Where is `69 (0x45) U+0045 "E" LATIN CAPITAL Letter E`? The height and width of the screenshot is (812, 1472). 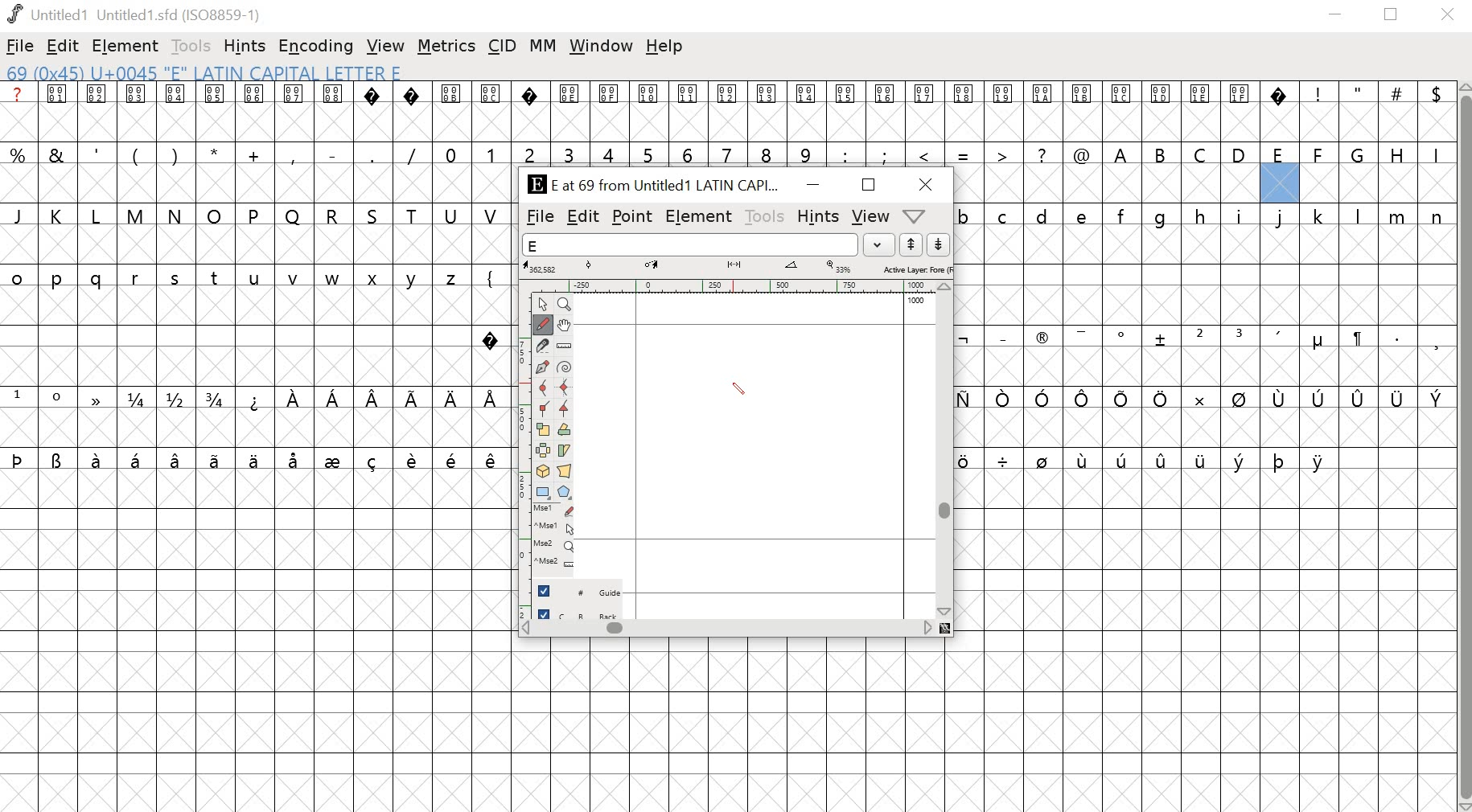
69 (0x45) U+0045 "E" LATIN CAPITAL Letter E is located at coordinates (208, 74).